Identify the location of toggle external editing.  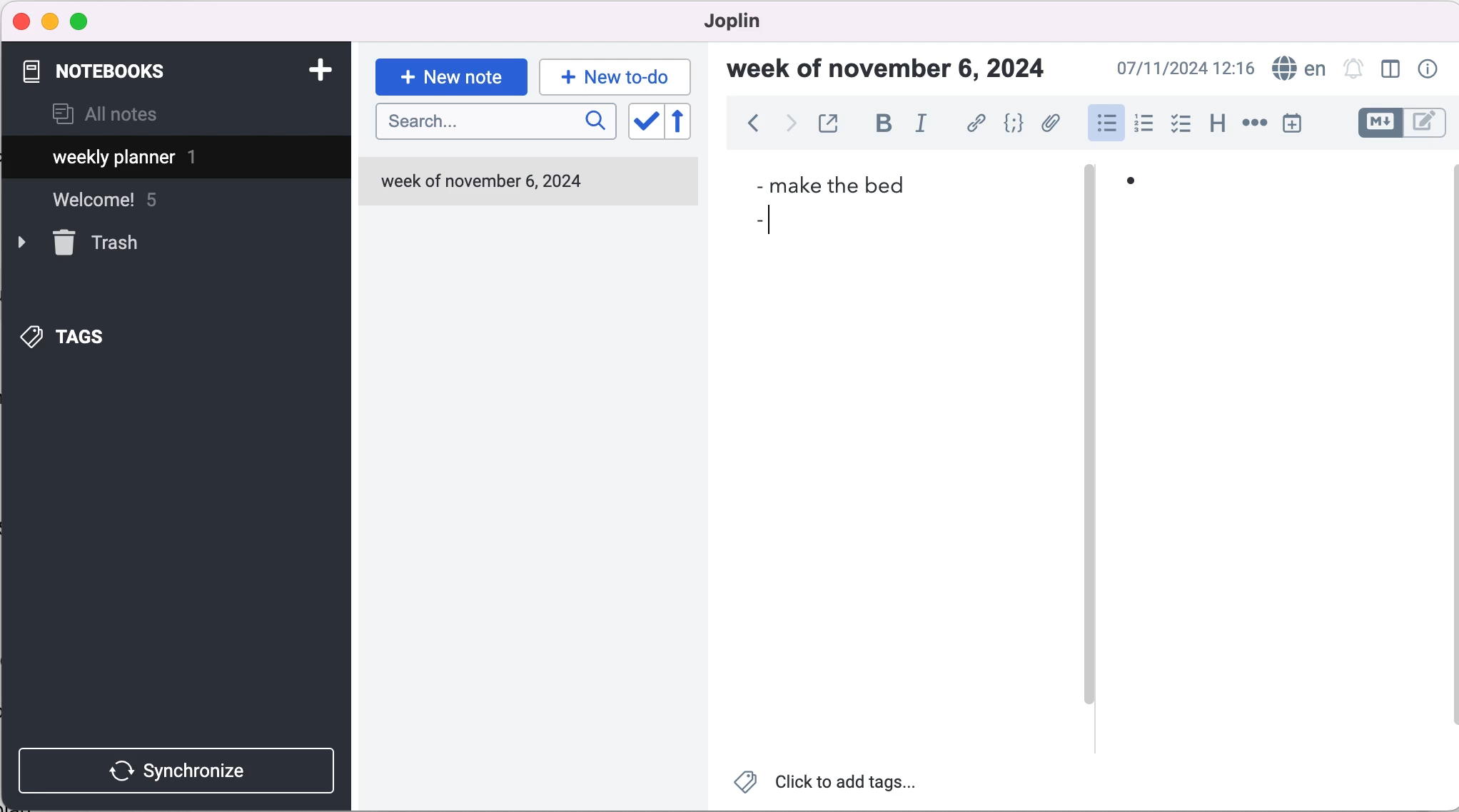
(830, 125).